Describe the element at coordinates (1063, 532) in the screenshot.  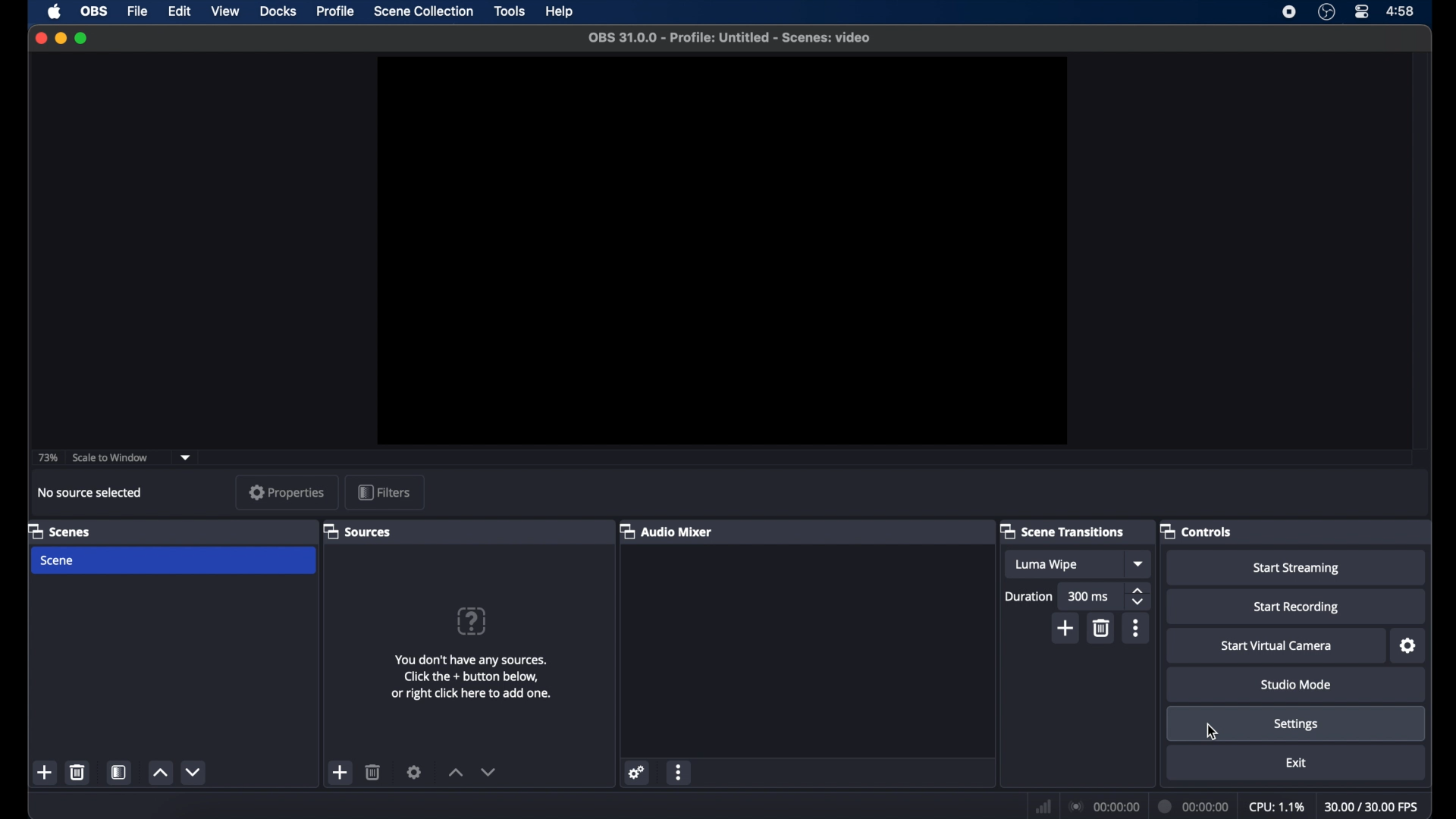
I see `scene transitions` at that location.